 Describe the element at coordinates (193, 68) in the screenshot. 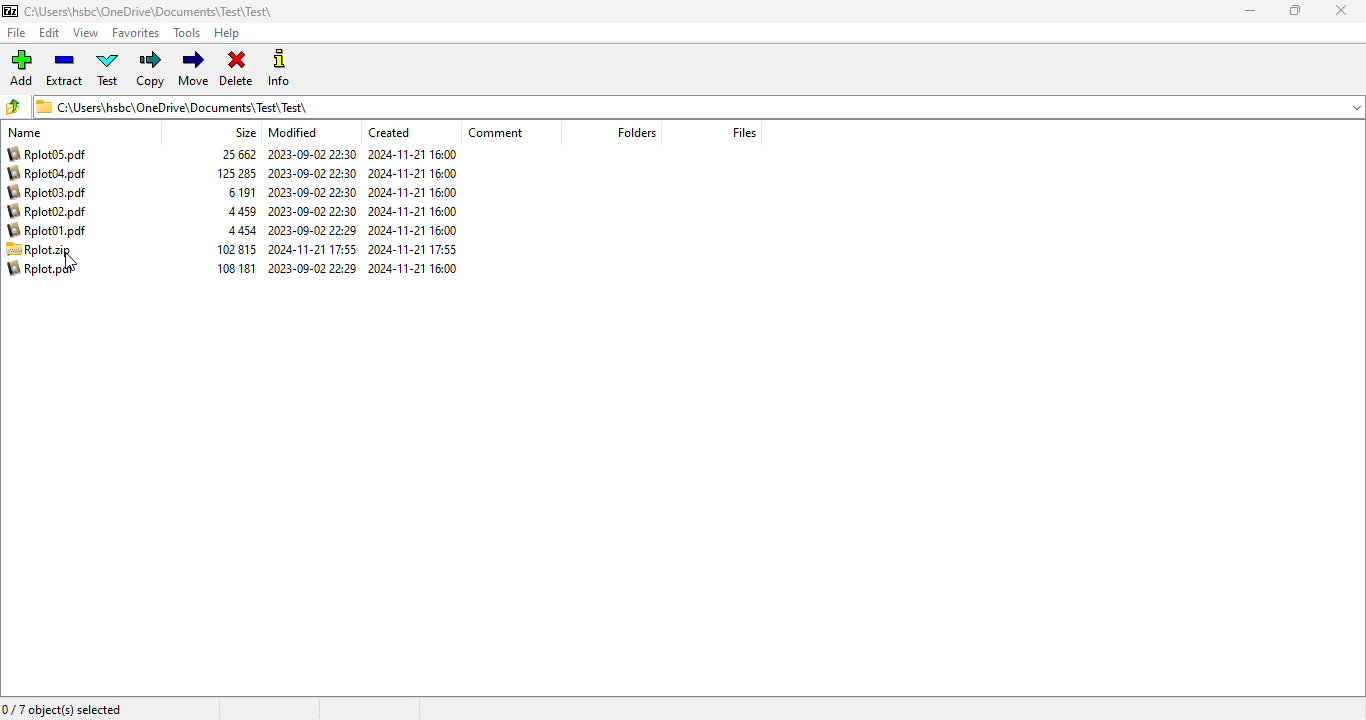

I see `move` at that location.